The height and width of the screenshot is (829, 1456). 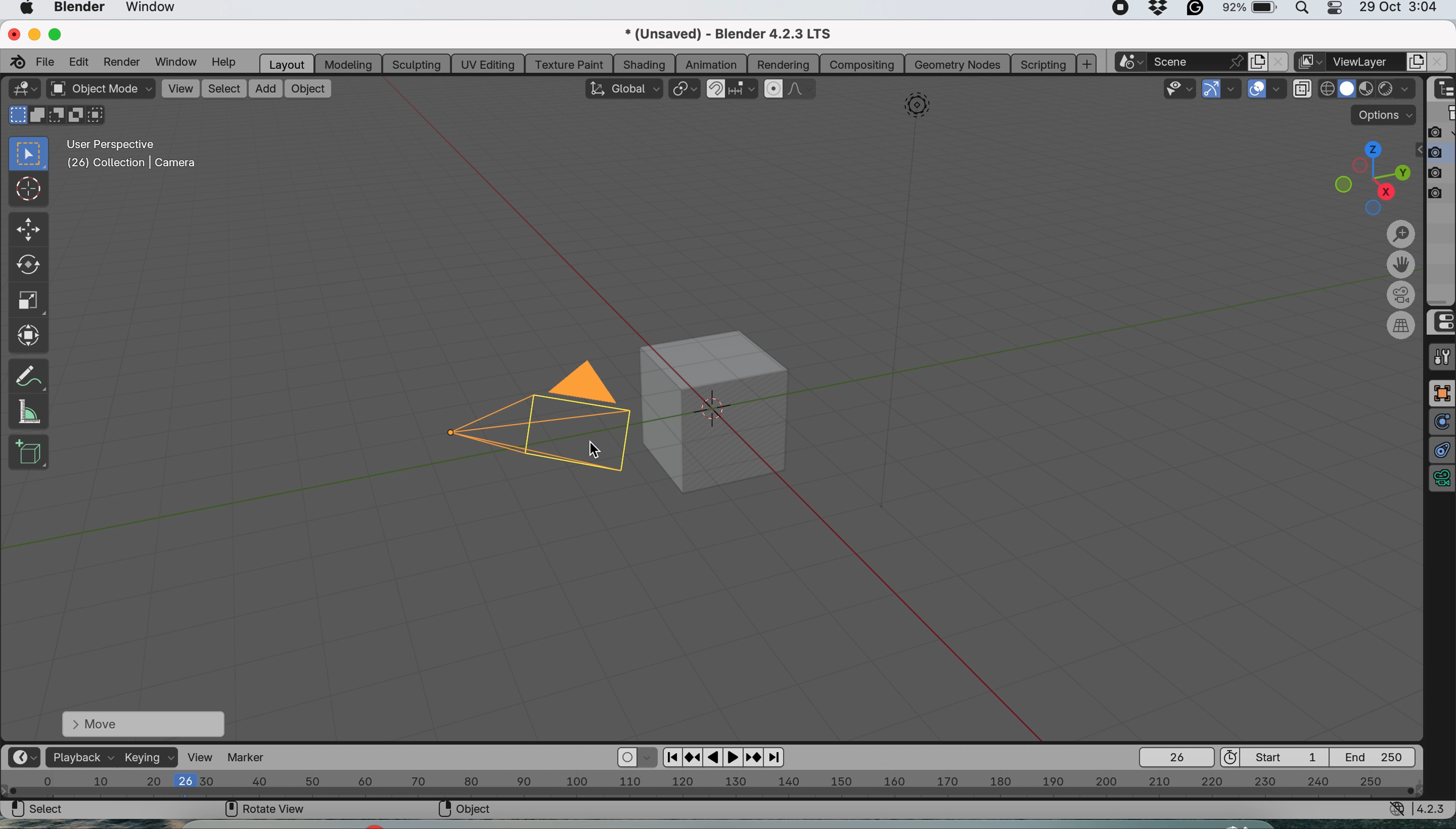 What do you see at coordinates (775, 89) in the screenshot?
I see `proportional editing object` at bounding box center [775, 89].